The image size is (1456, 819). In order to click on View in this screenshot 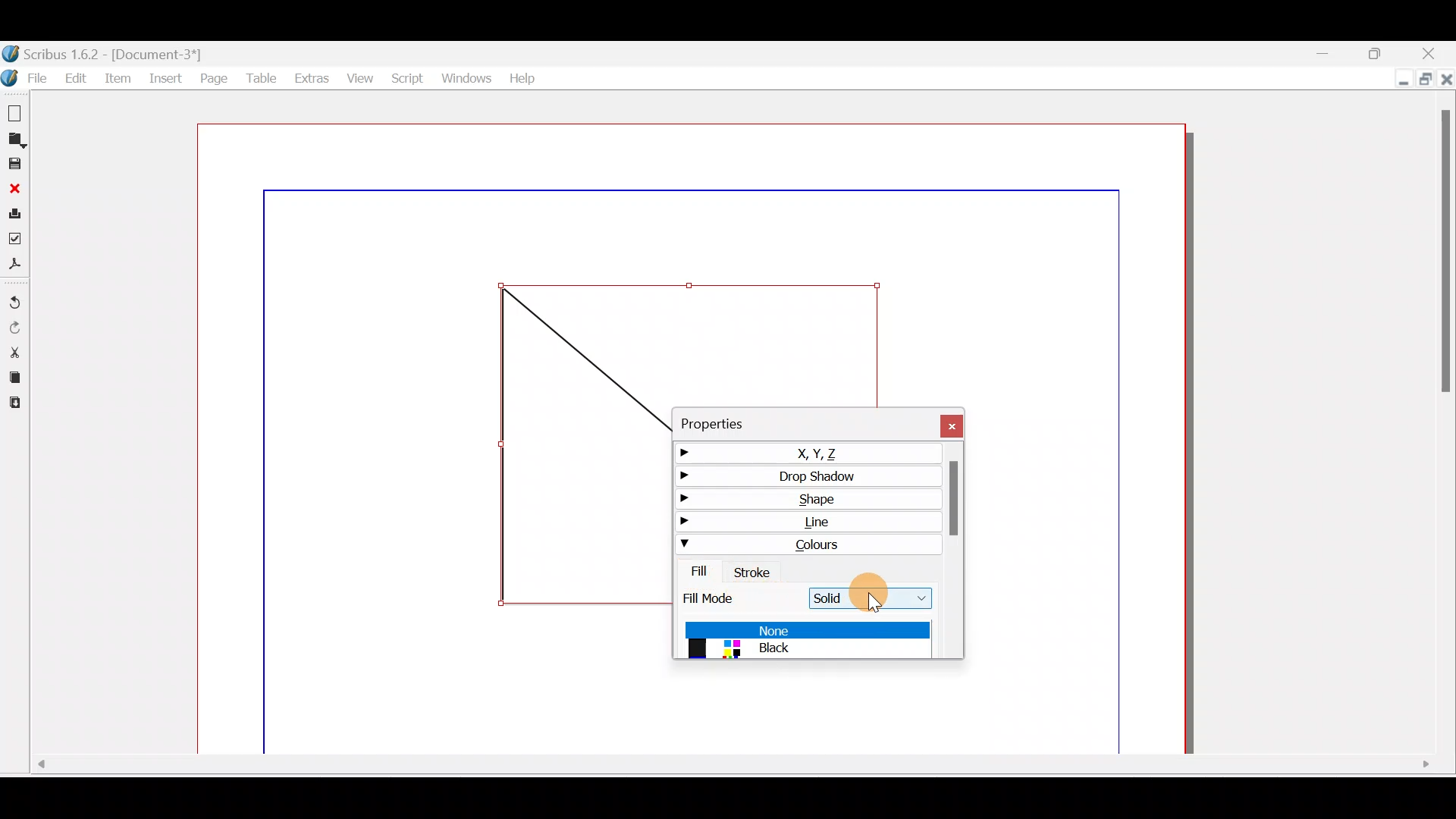, I will do `click(358, 75)`.